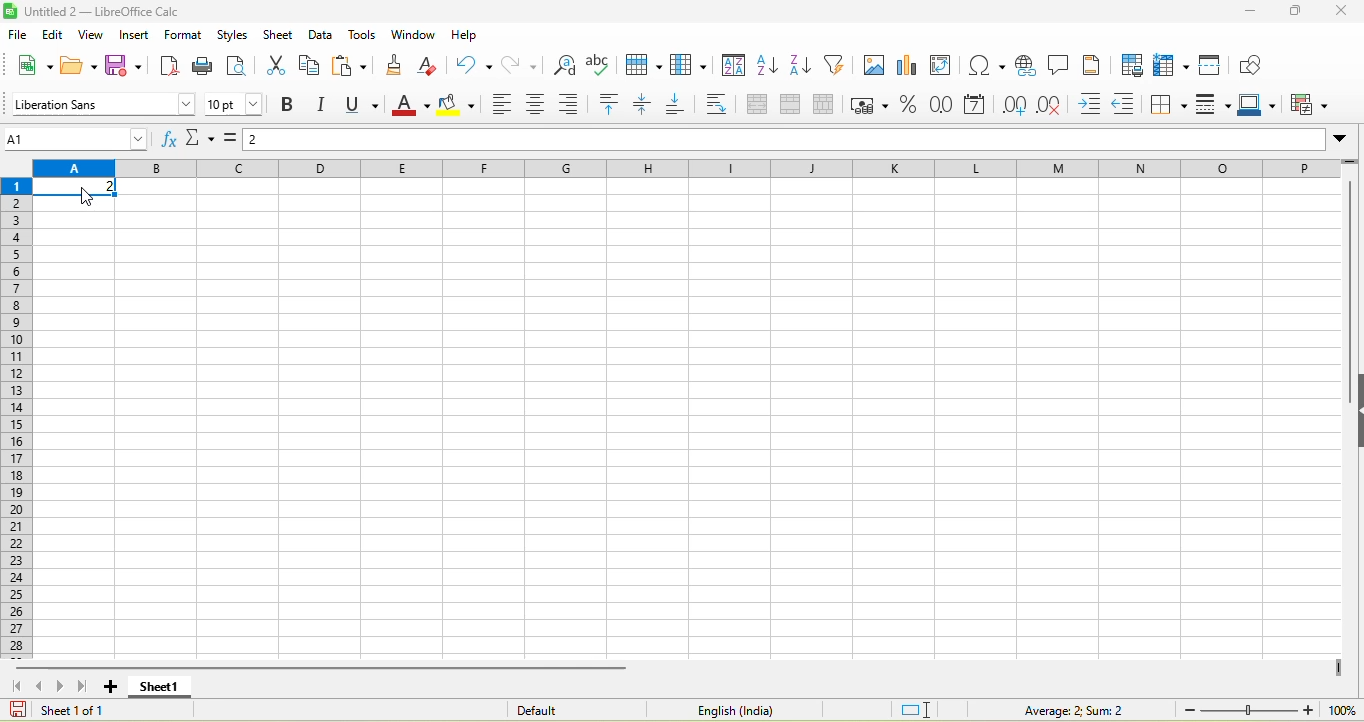 Image resolution: width=1364 pixels, height=722 pixels. I want to click on zoom, so click(1246, 709).